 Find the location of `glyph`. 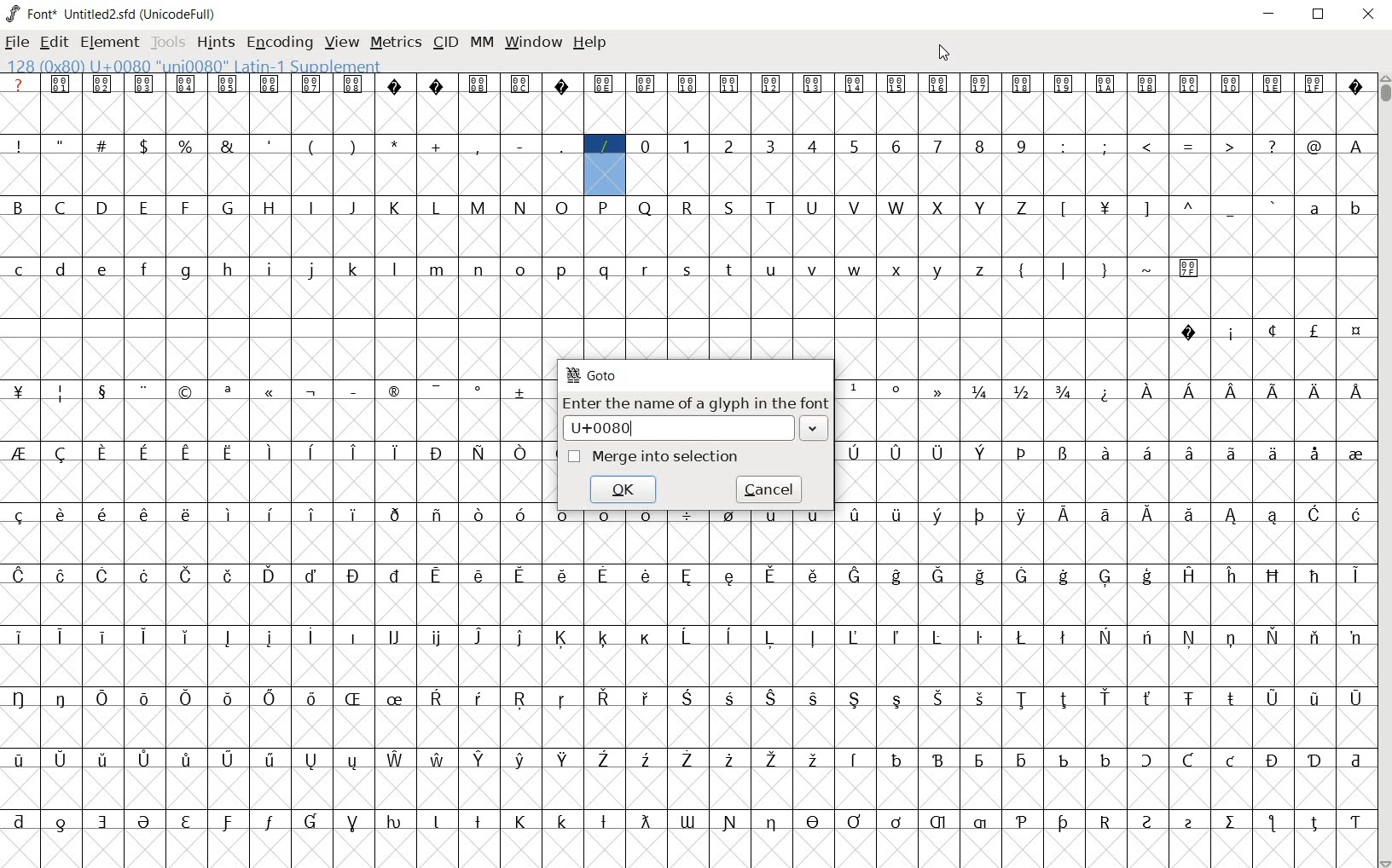

glyph is located at coordinates (980, 392).